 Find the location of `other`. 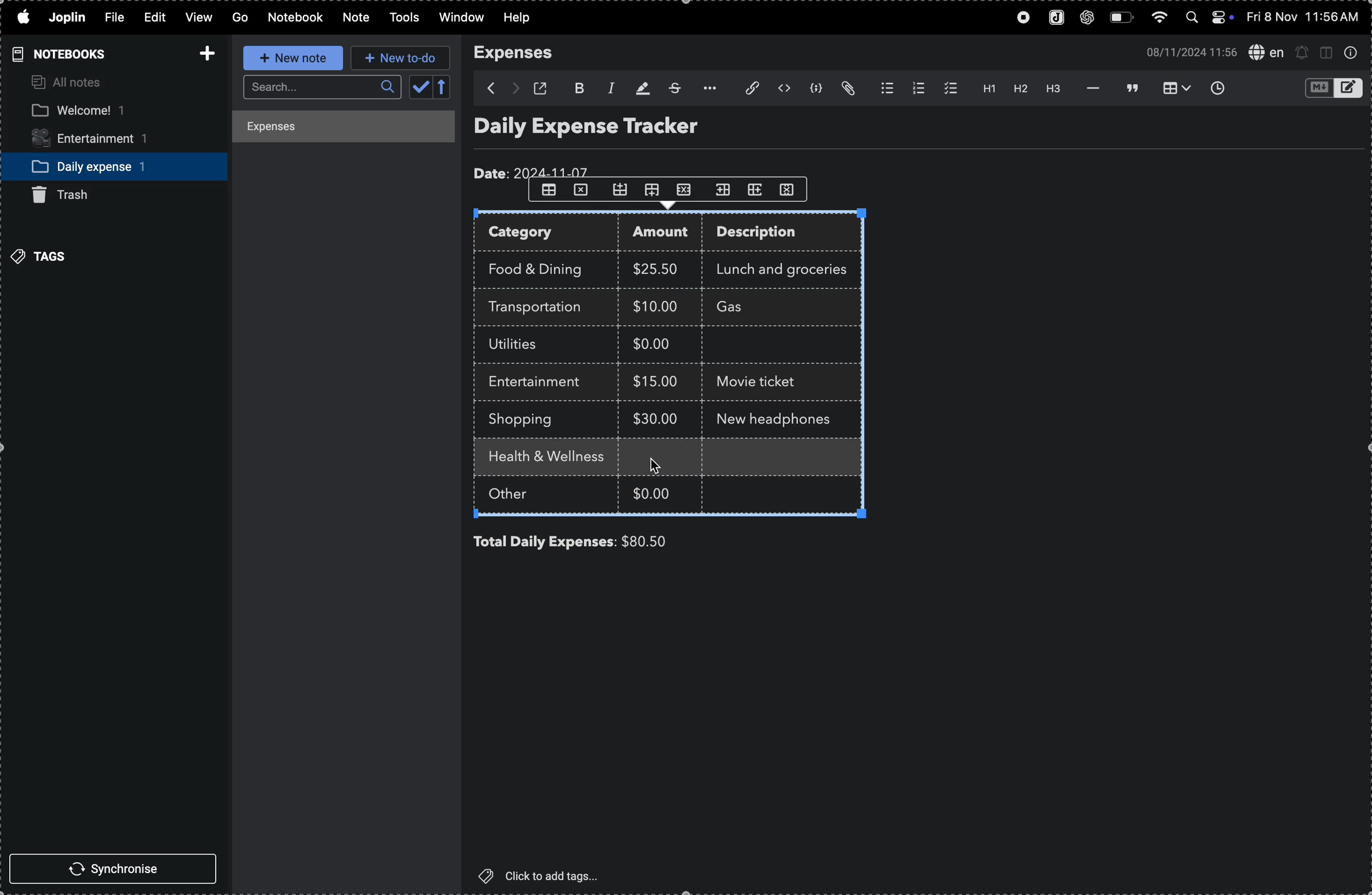

other is located at coordinates (522, 496).